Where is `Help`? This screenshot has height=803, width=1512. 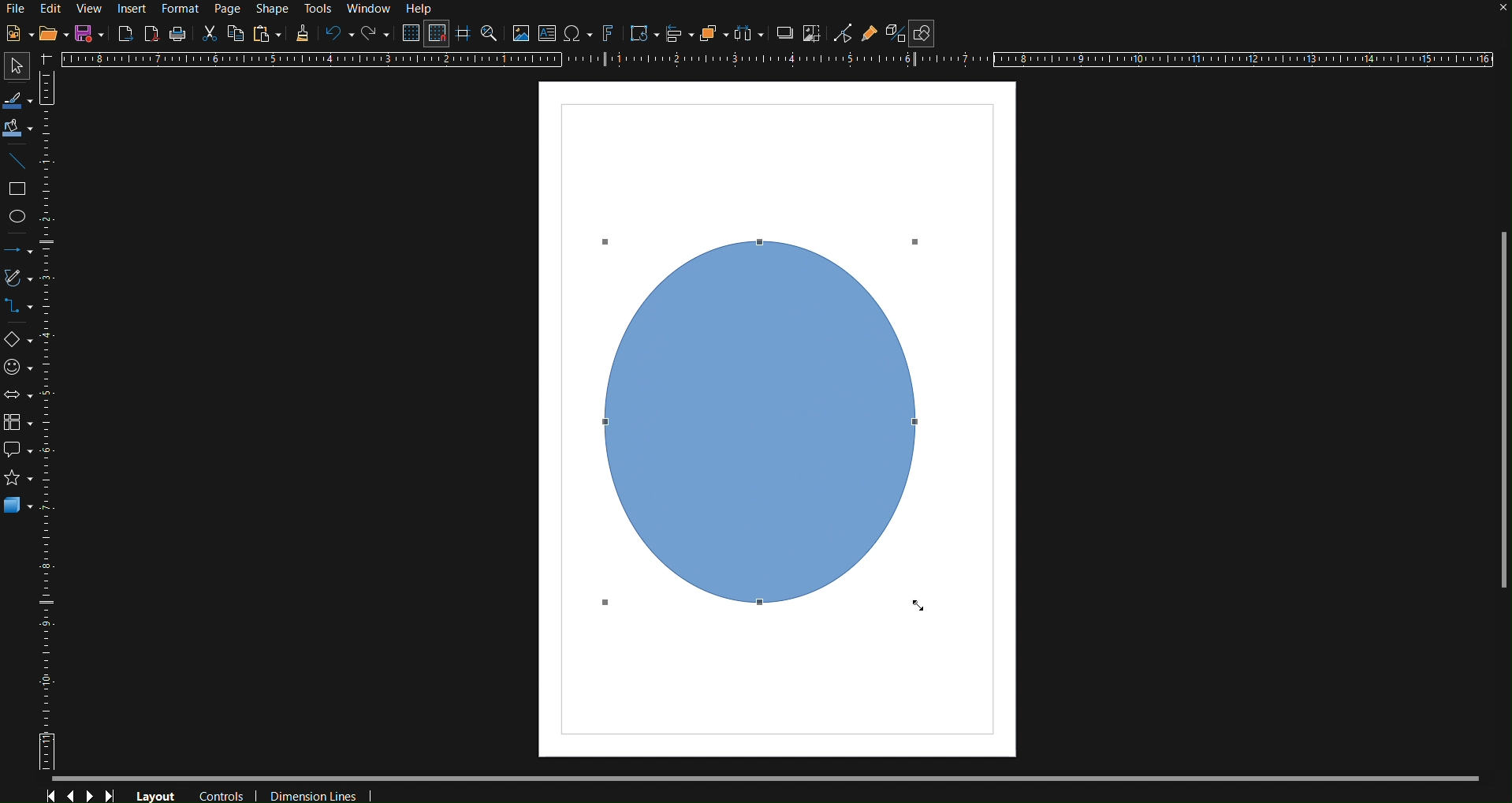 Help is located at coordinates (423, 9).